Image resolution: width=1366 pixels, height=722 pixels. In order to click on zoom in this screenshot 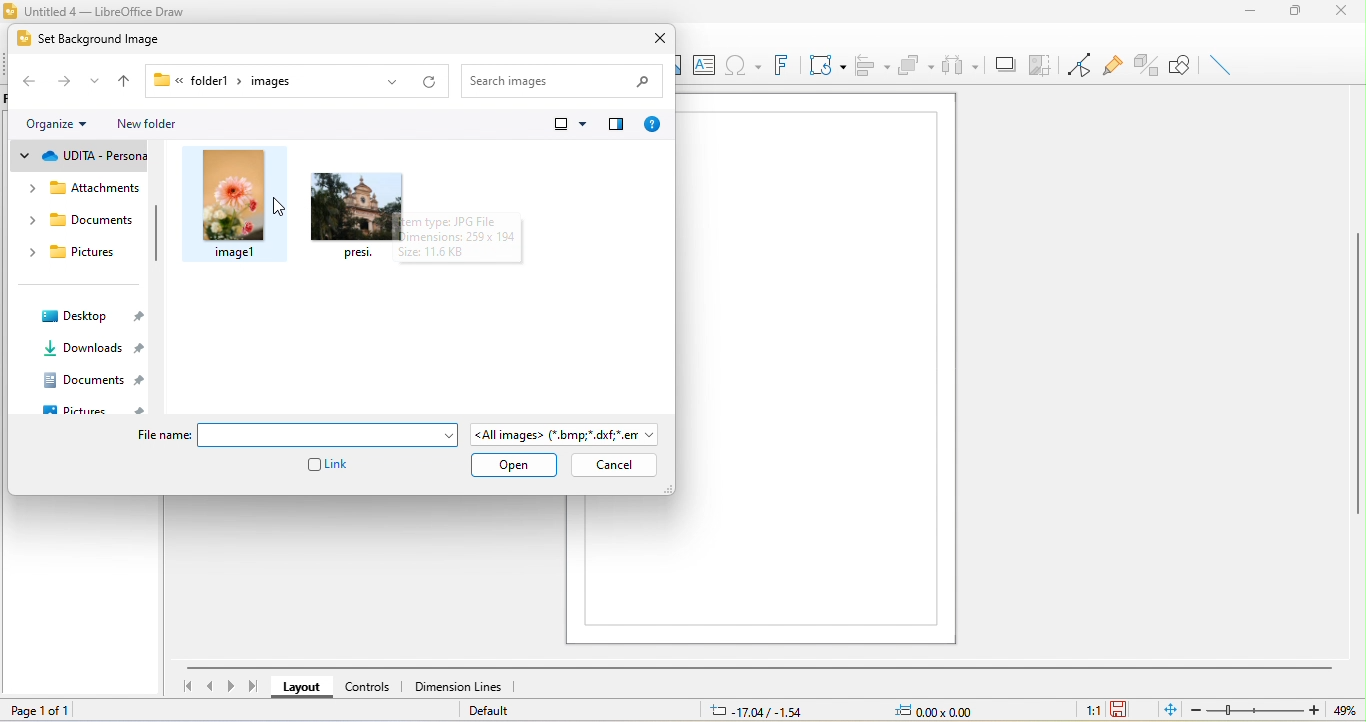, I will do `click(1251, 709)`.